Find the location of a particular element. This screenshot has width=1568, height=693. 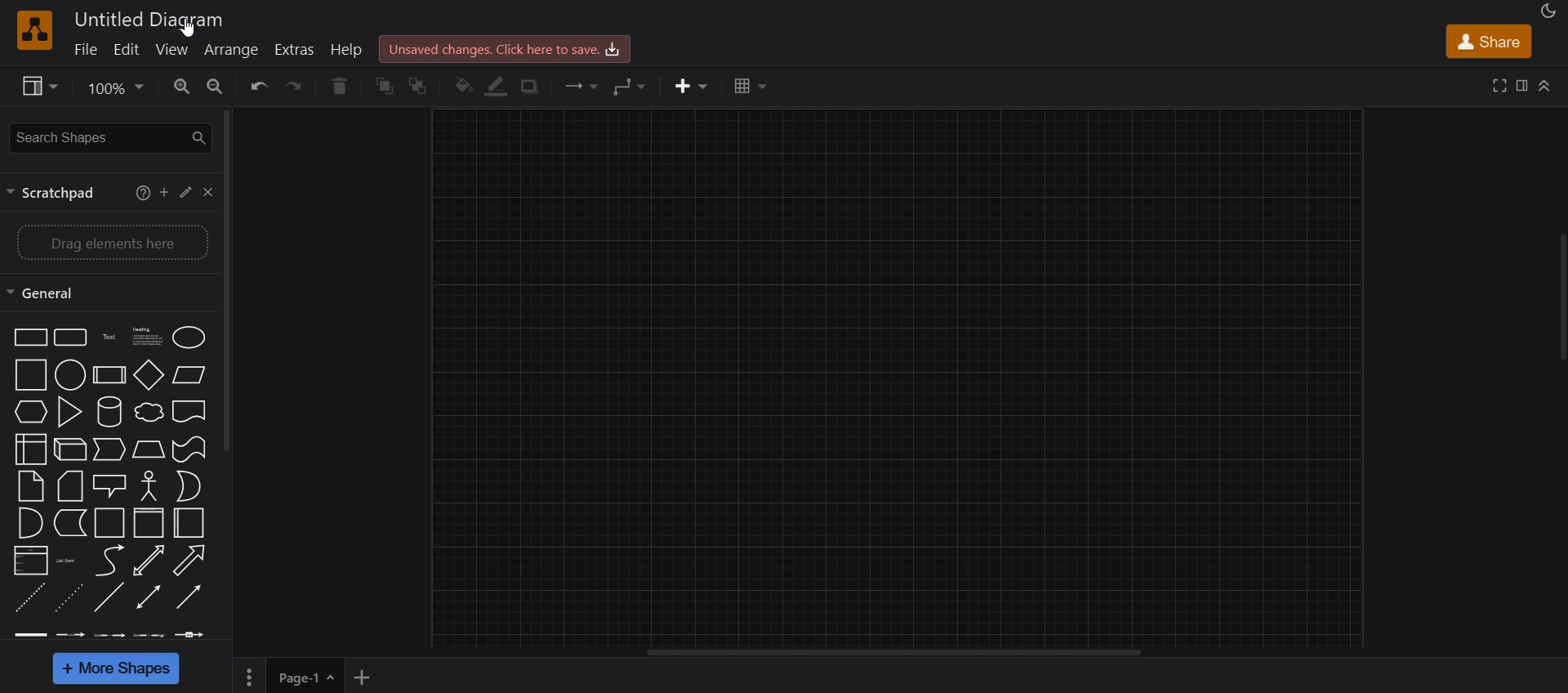

zoom is located at coordinates (113, 90).